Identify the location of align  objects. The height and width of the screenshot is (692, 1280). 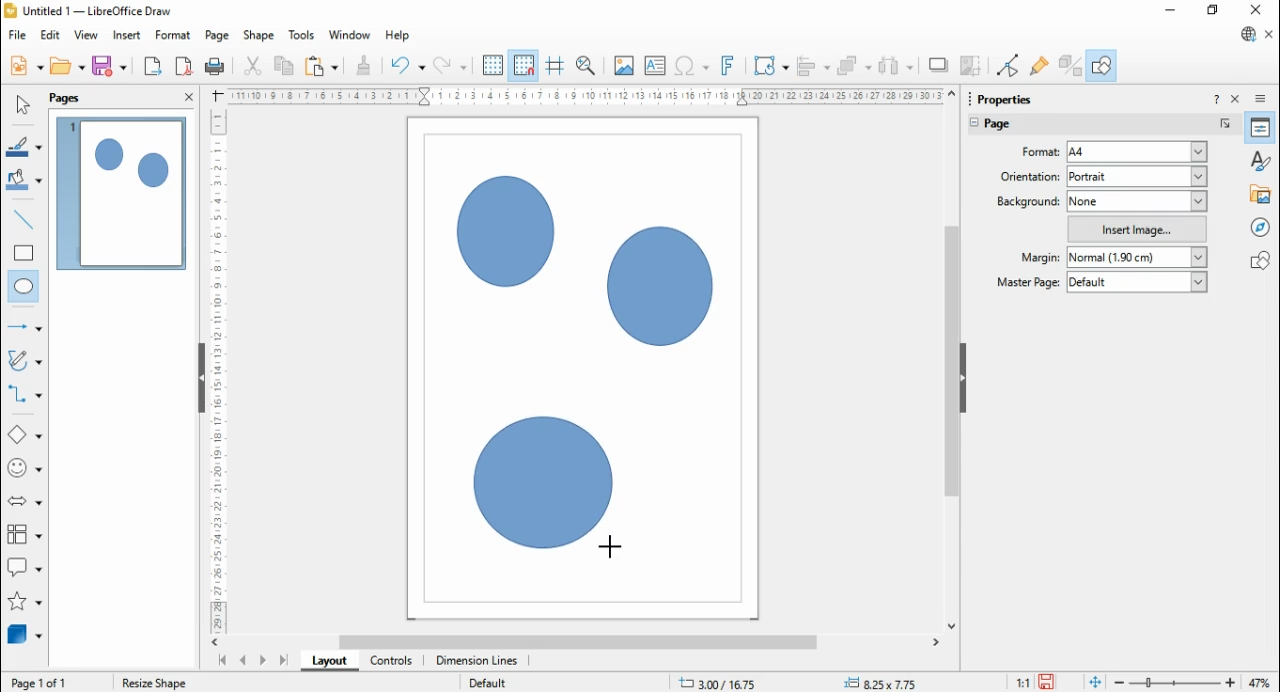
(813, 66).